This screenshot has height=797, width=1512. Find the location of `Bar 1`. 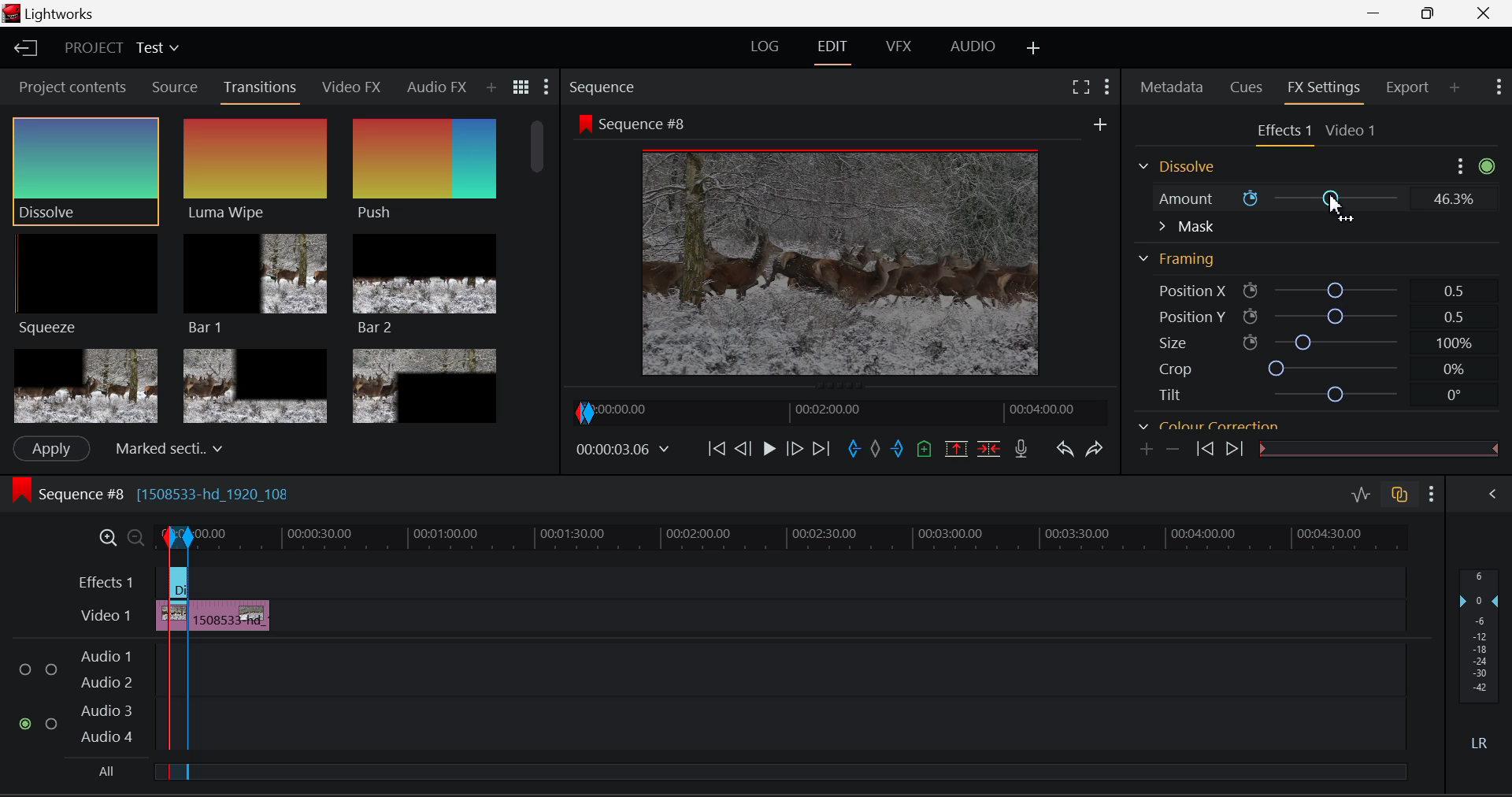

Bar 1 is located at coordinates (256, 283).